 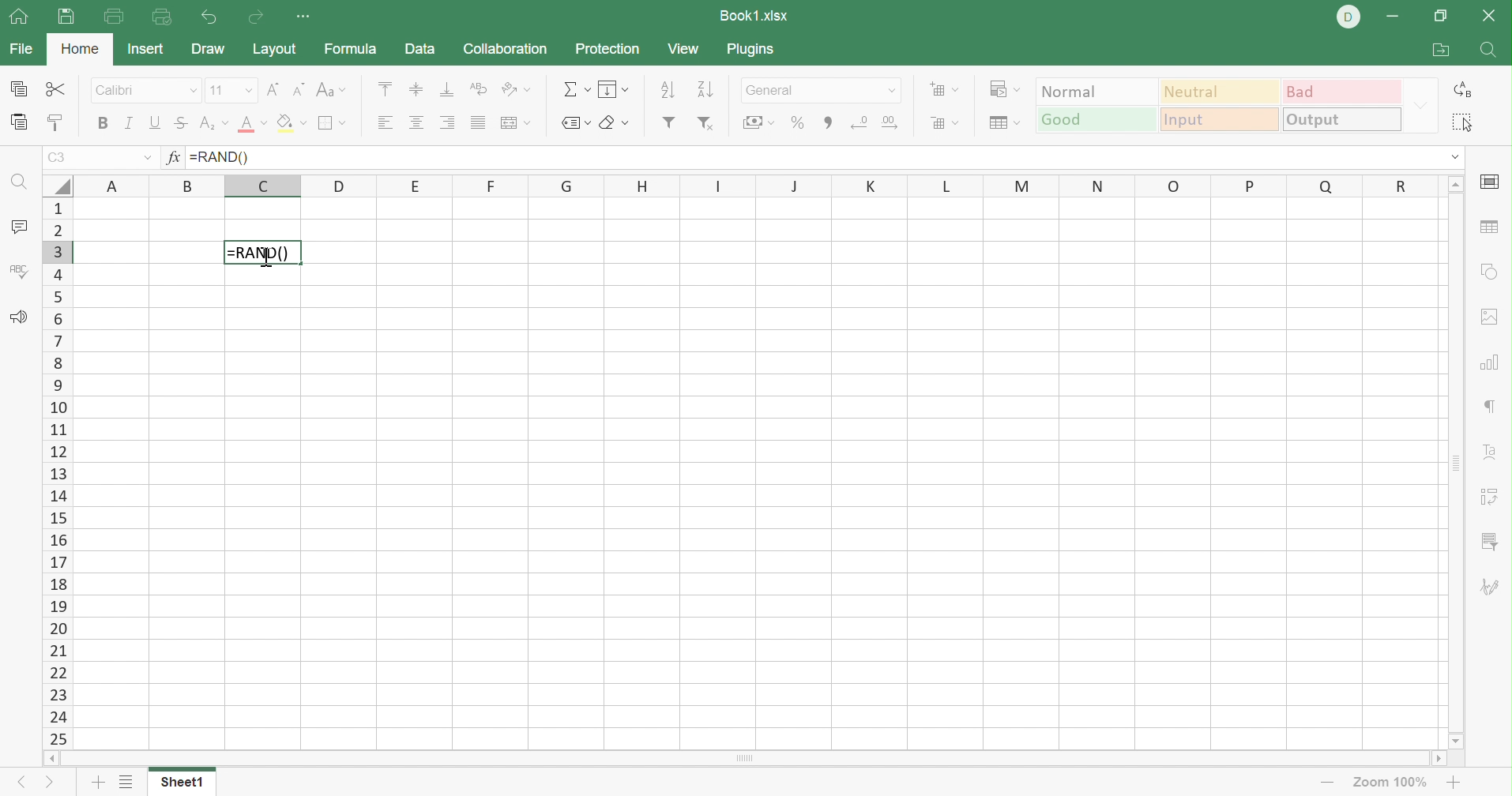 What do you see at coordinates (100, 782) in the screenshot?
I see `Add sheet` at bounding box center [100, 782].